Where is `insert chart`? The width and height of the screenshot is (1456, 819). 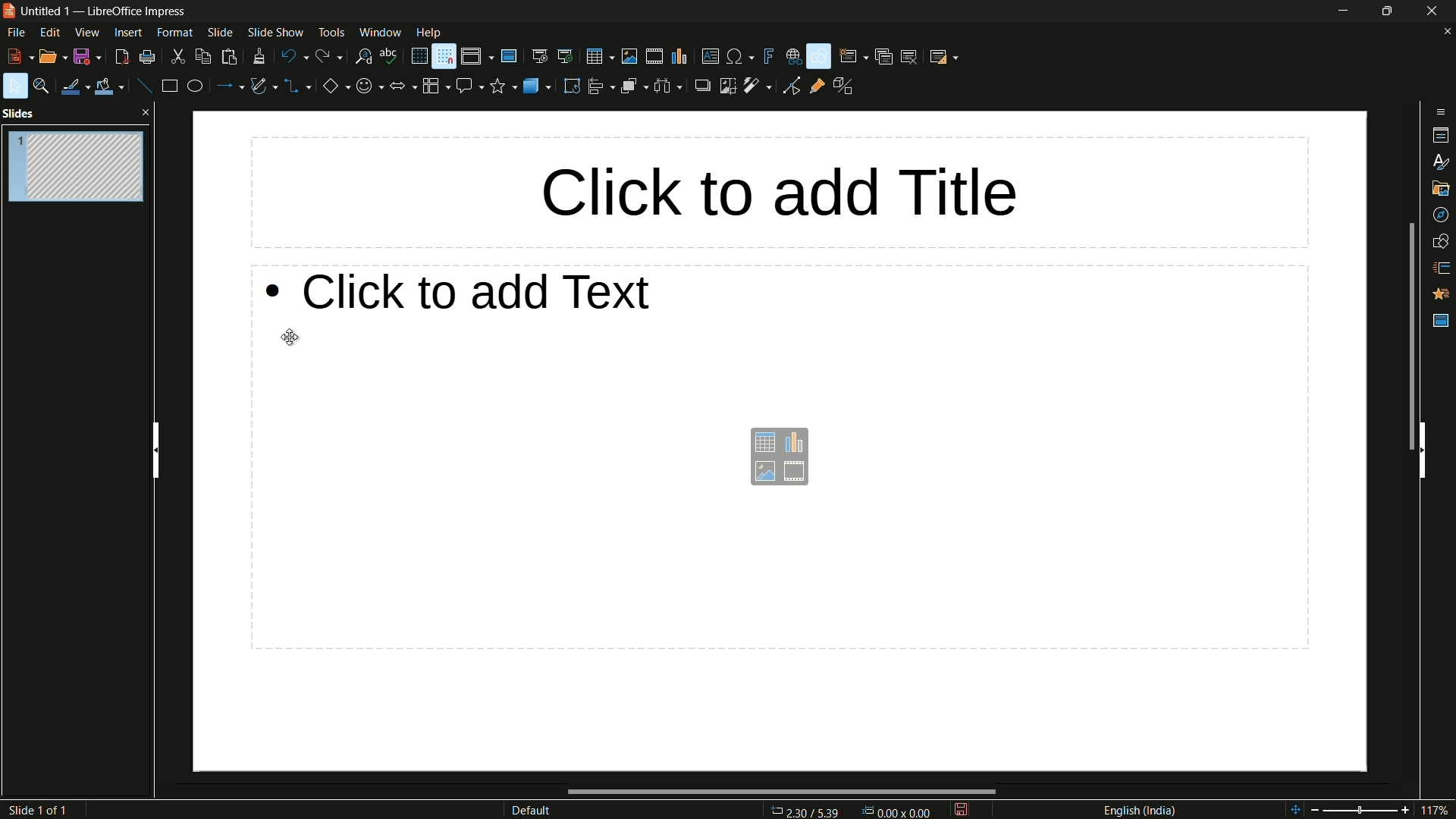 insert chart is located at coordinates (794, 443).